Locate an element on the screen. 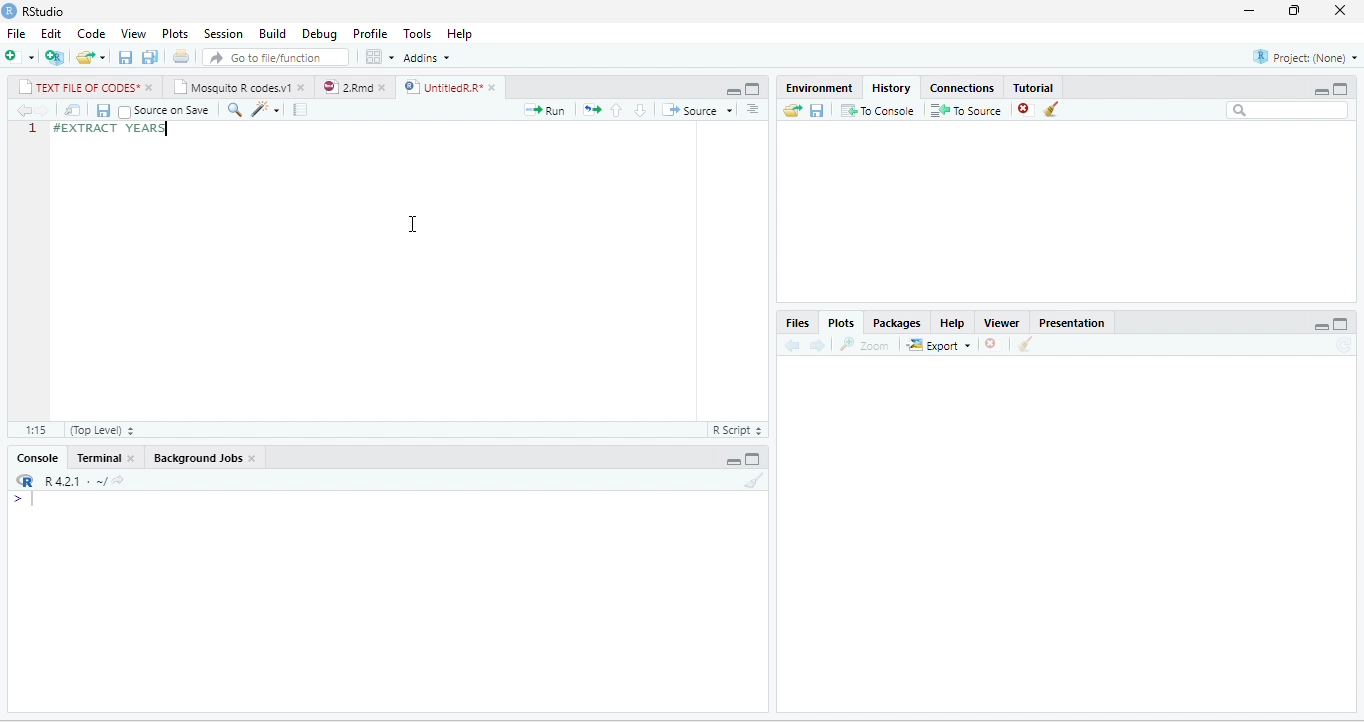 This screenshot has width=1364, height=722. close is located at coordinates (253, 458).